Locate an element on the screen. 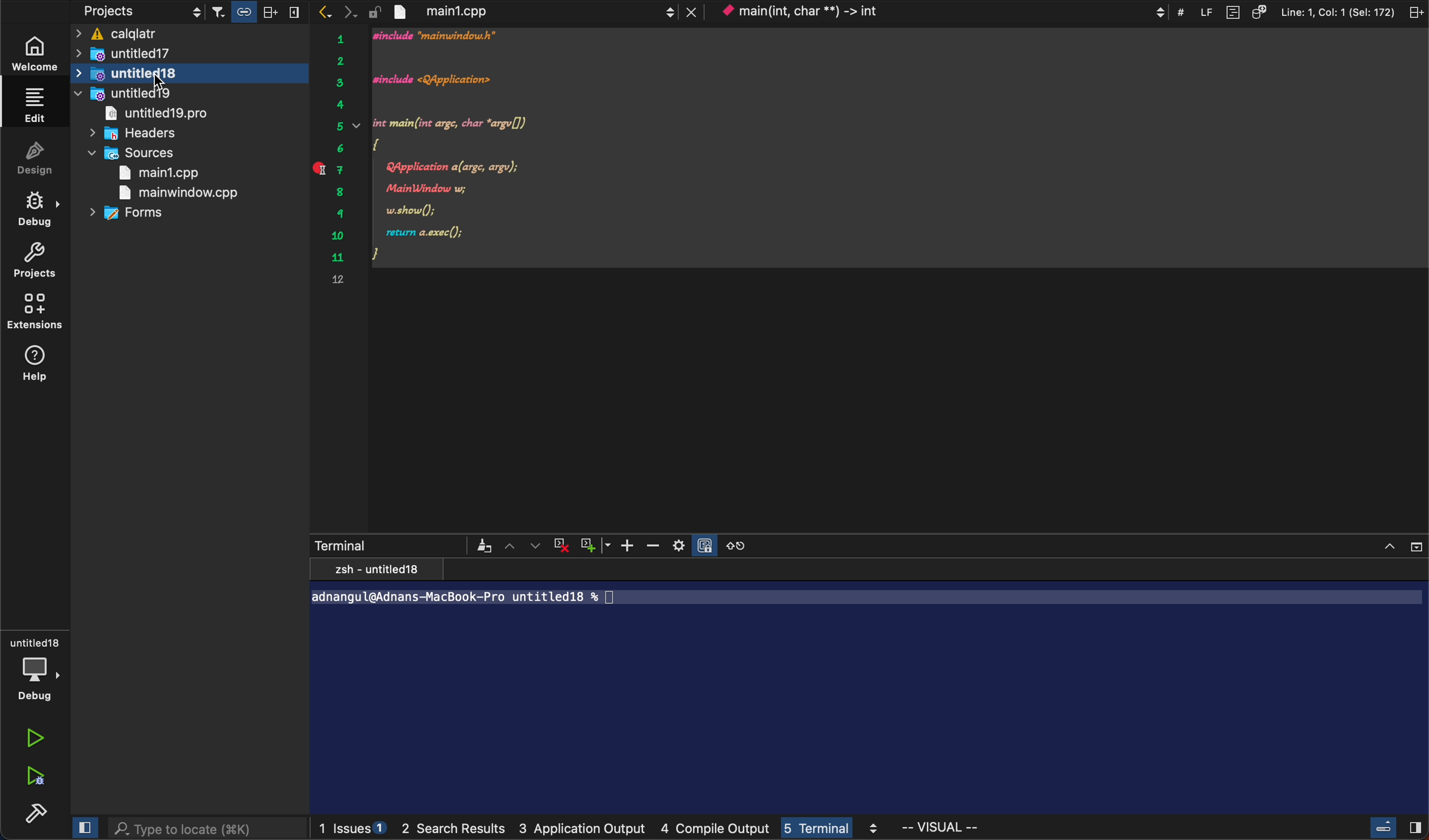 The width and height of the screenshot is (1429, 840).  is located at coordinates (488, 546).